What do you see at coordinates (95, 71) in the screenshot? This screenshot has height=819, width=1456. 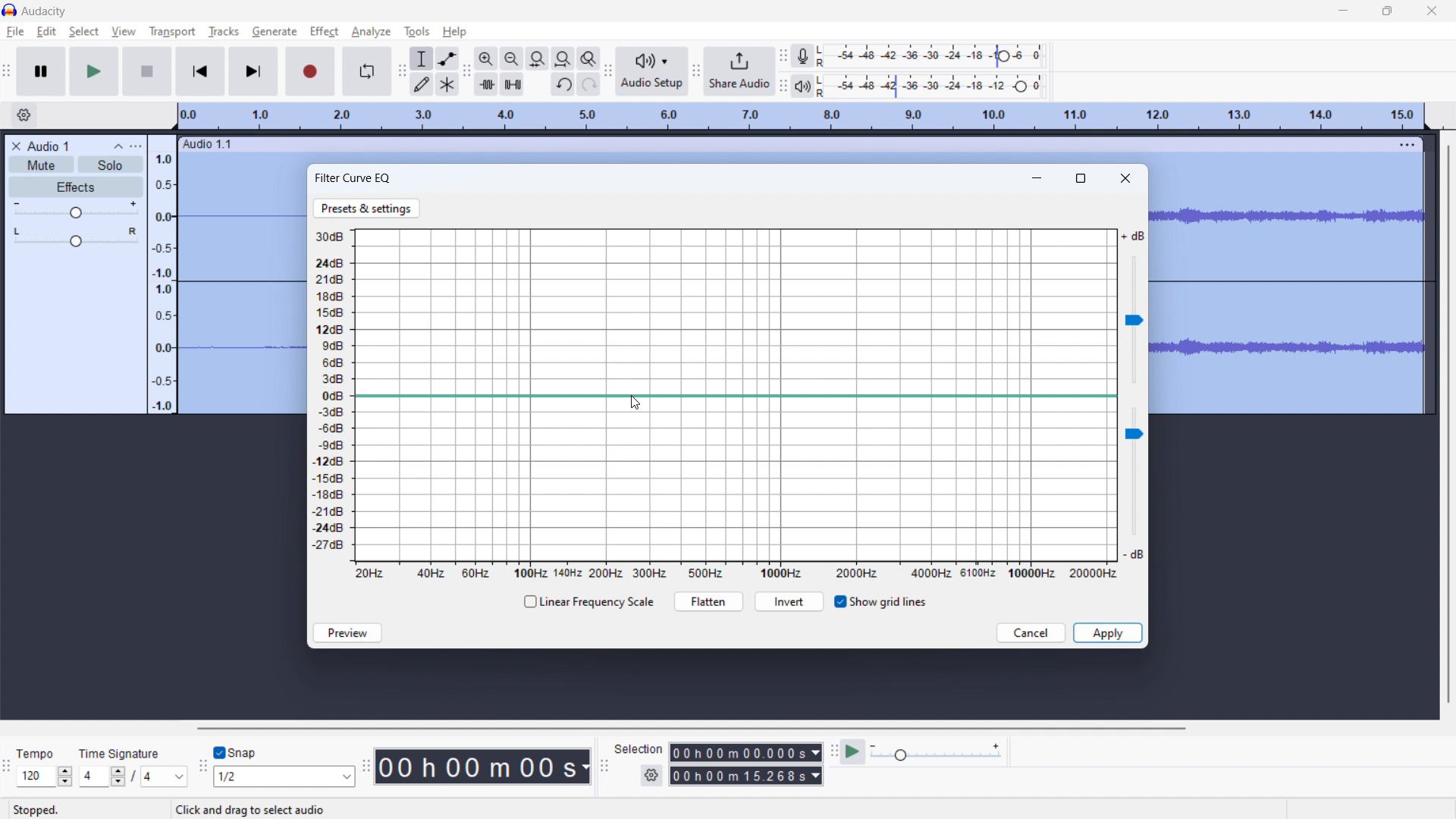 I see `play` at bounding box center [95, 71].